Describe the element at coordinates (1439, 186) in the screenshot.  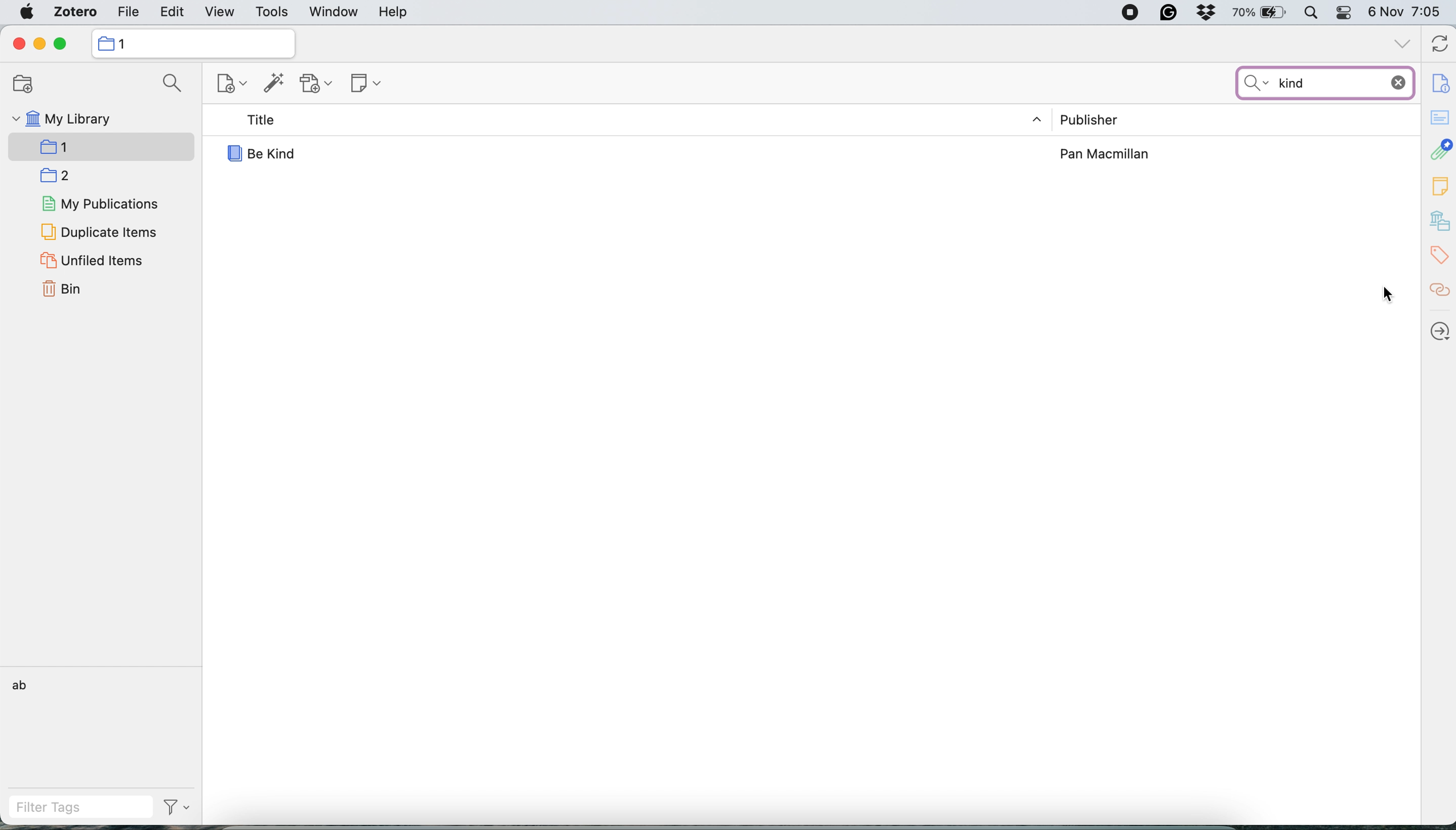
I see `note` at that location.